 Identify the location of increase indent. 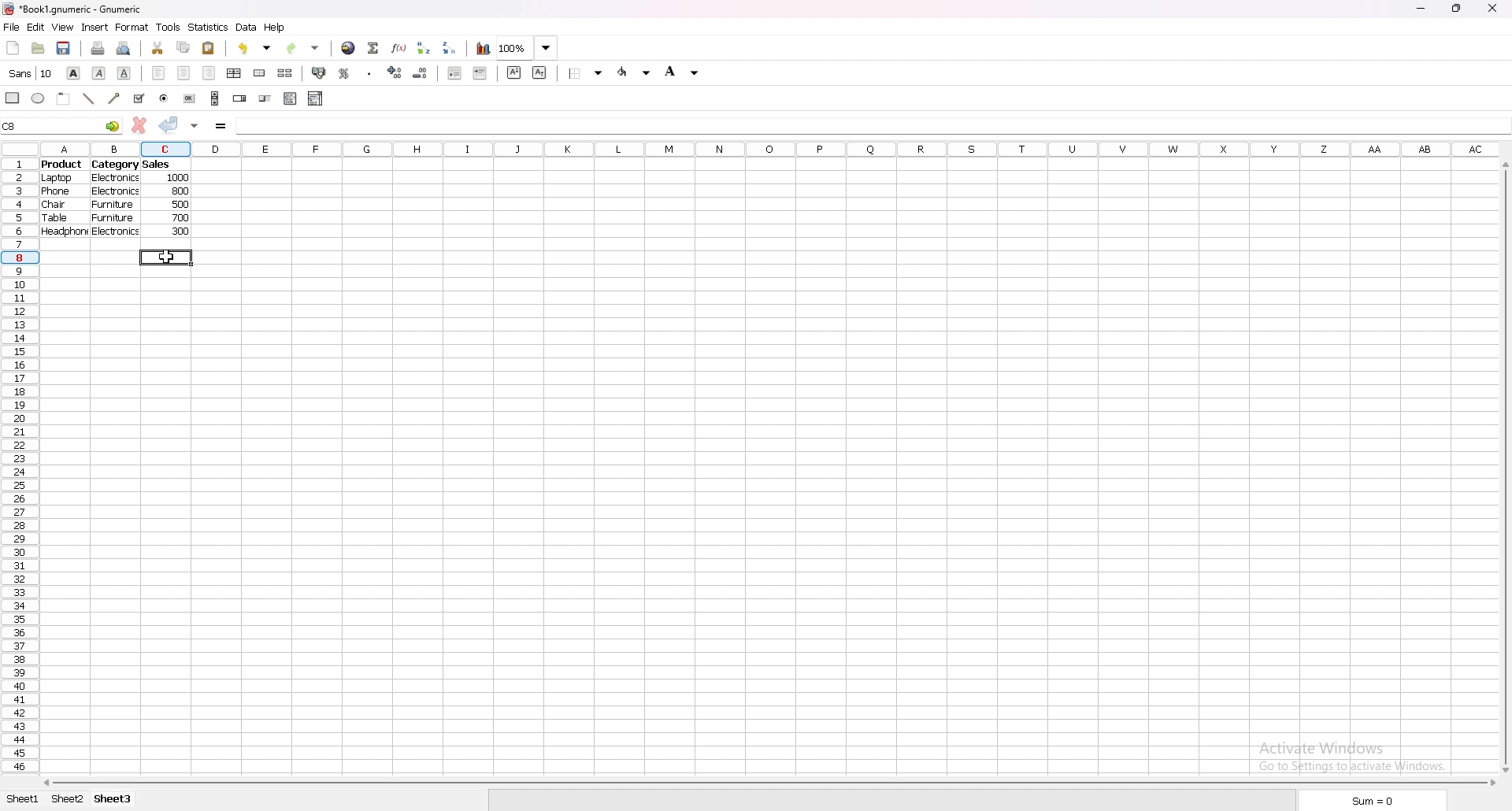
(480, 73).